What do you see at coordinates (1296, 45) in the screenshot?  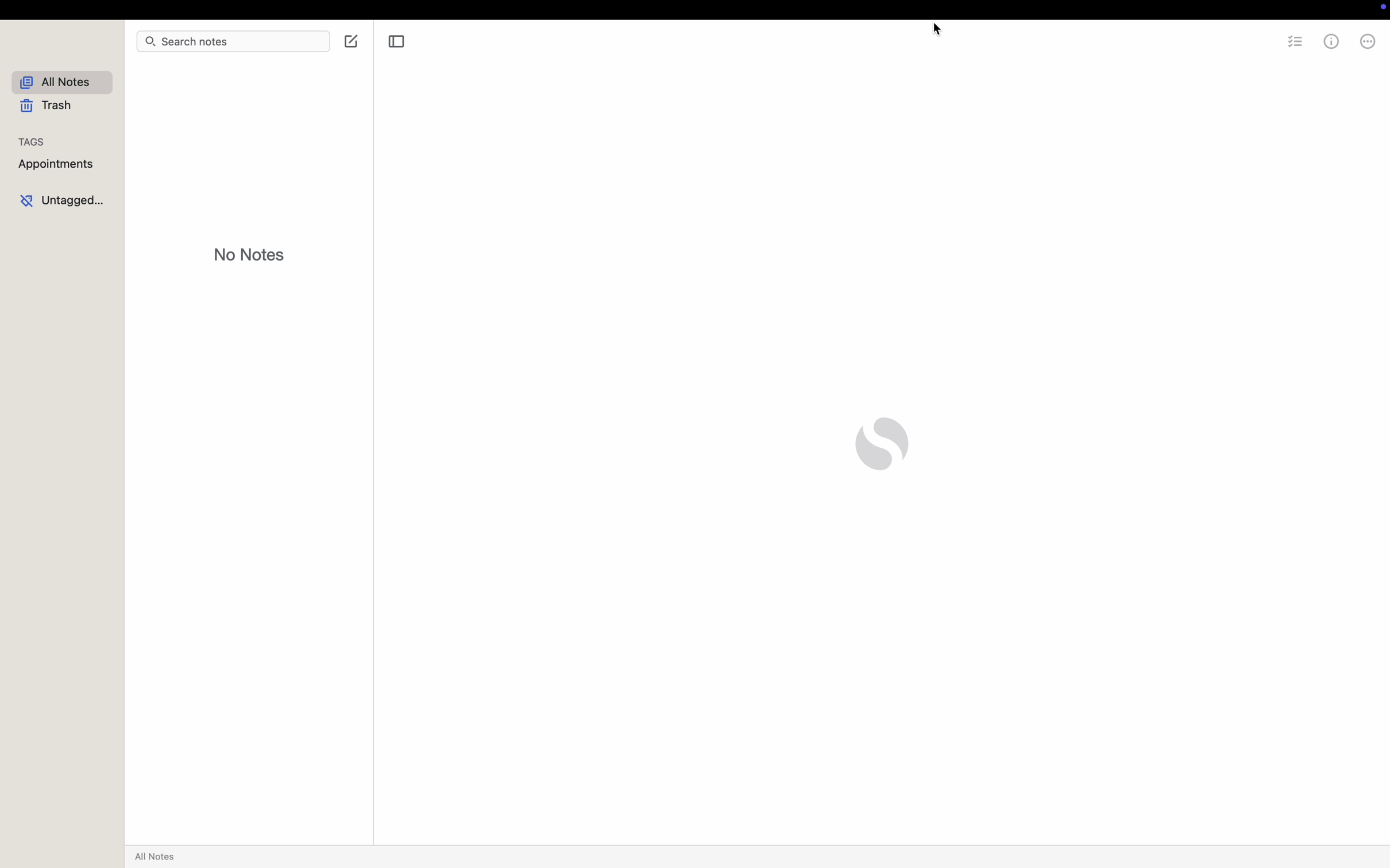 I see `checklist` at bounding box center [1296, 45].